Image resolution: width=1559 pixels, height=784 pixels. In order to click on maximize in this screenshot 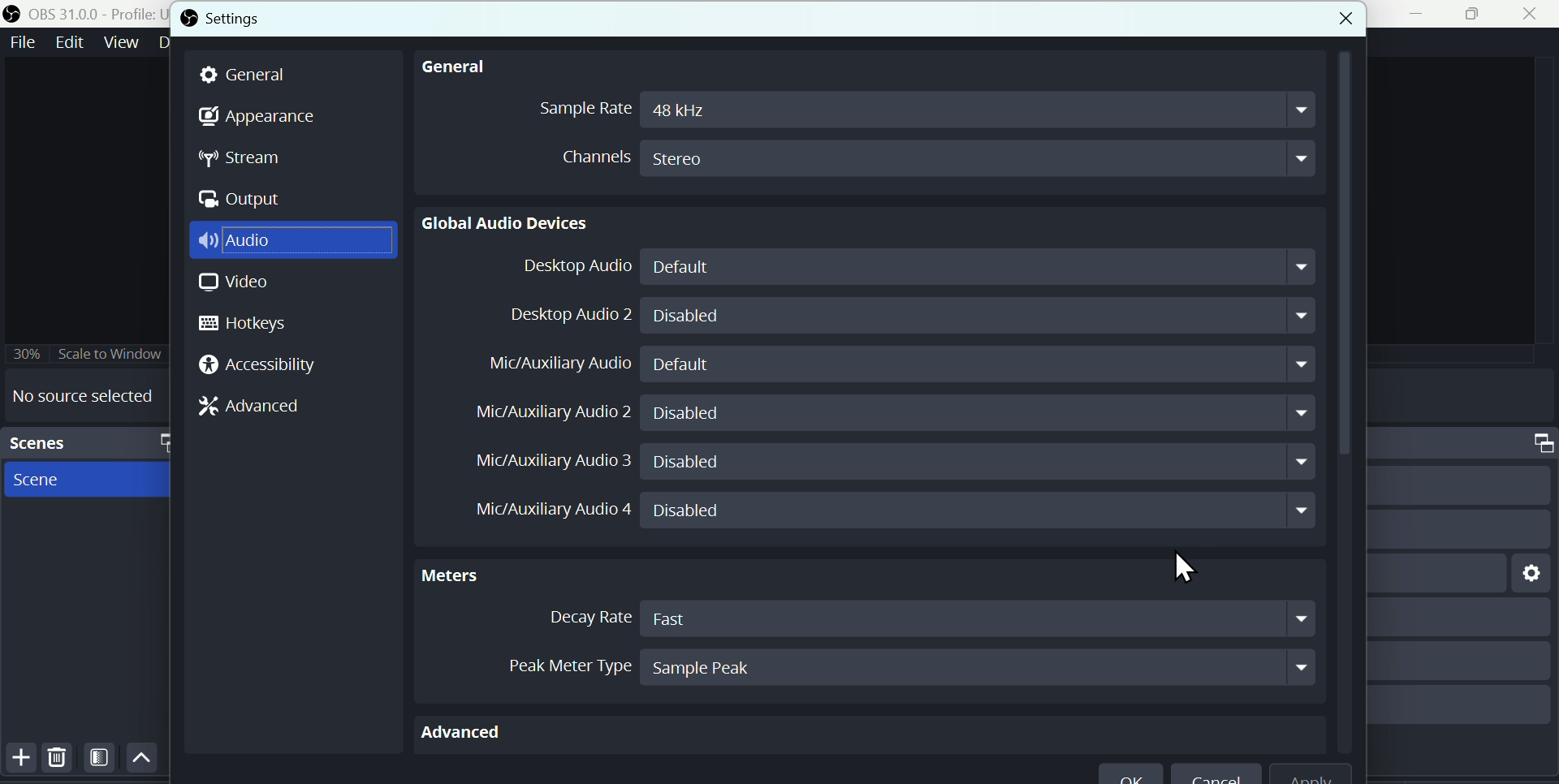, I will do `click(162, 442)`.